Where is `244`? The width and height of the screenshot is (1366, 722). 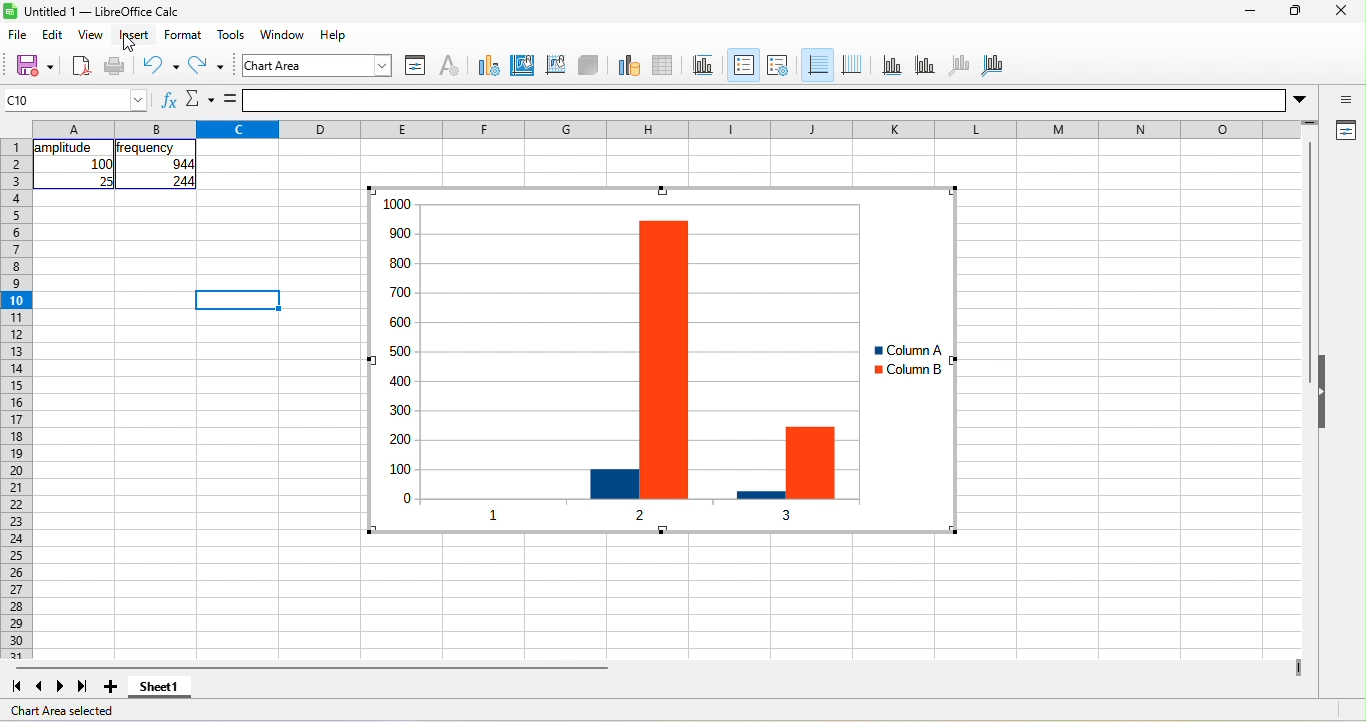
244 is located at coordinates (180, 182).